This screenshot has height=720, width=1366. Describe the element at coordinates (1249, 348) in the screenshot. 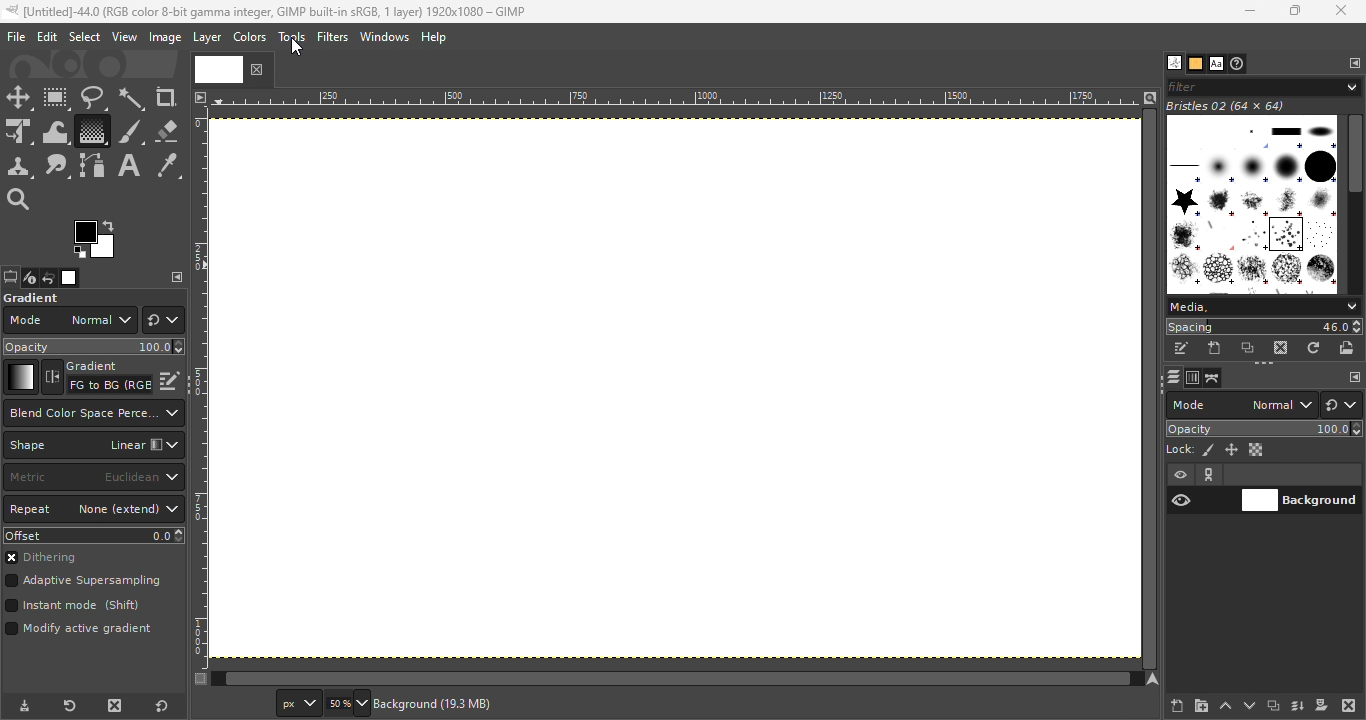

I see `Duplicate this brush` at that location.